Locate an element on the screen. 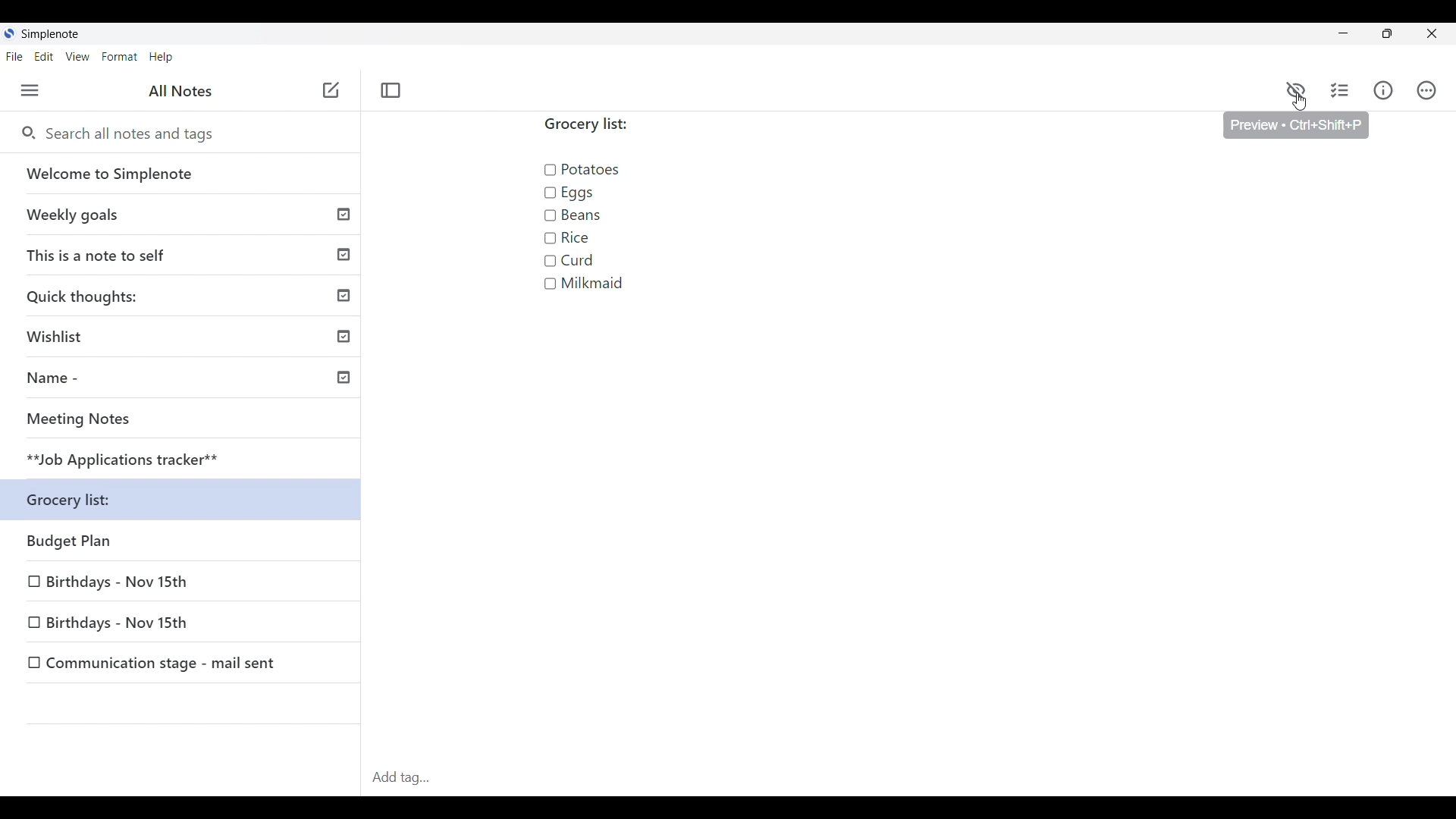 Image resolution: width=1456 pixels, height=819 pixels. **Job Applications tracker** is located at coordinates (185, 460).